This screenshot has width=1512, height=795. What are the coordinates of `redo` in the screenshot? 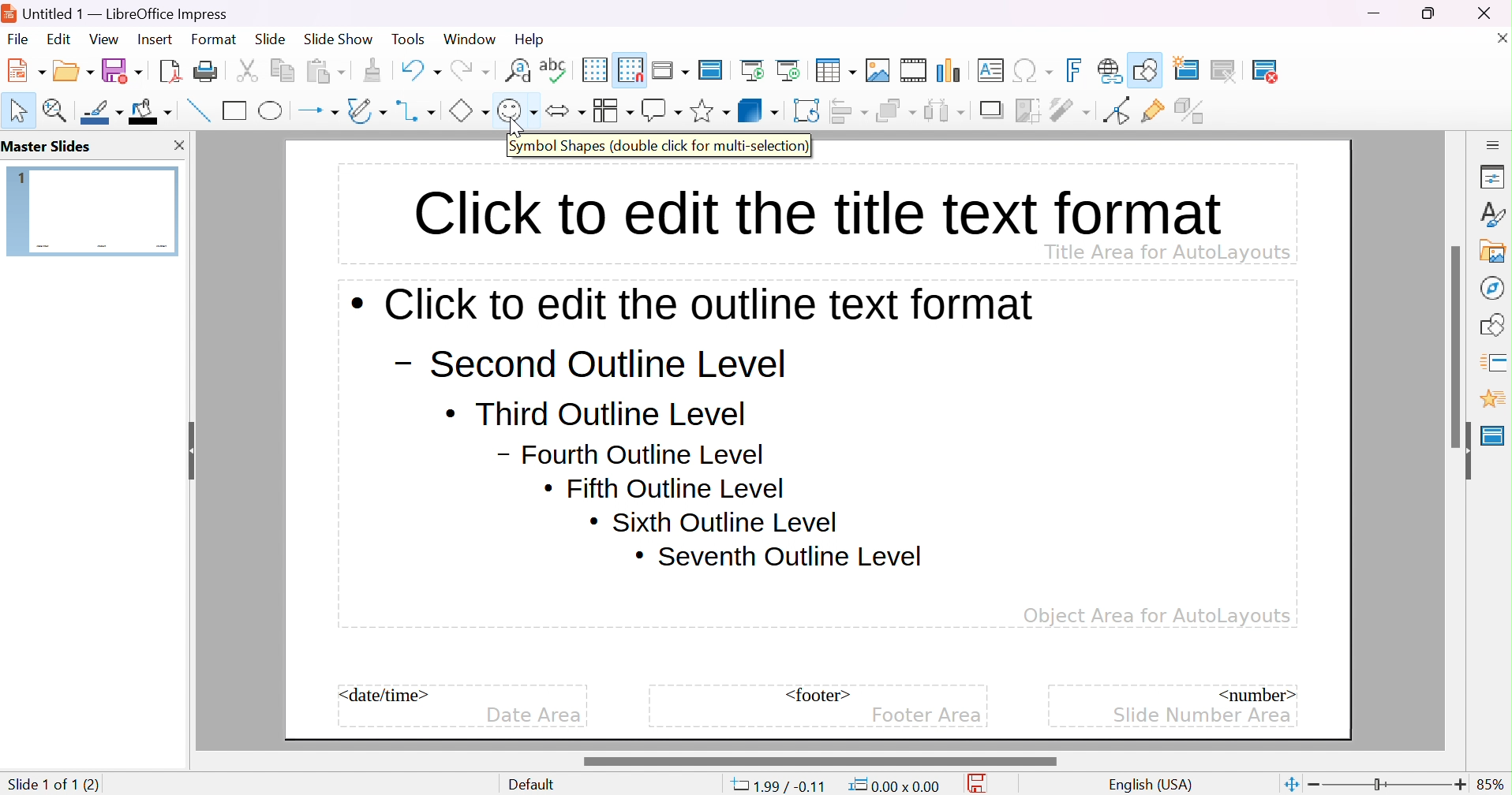 It's located at (469, 68).